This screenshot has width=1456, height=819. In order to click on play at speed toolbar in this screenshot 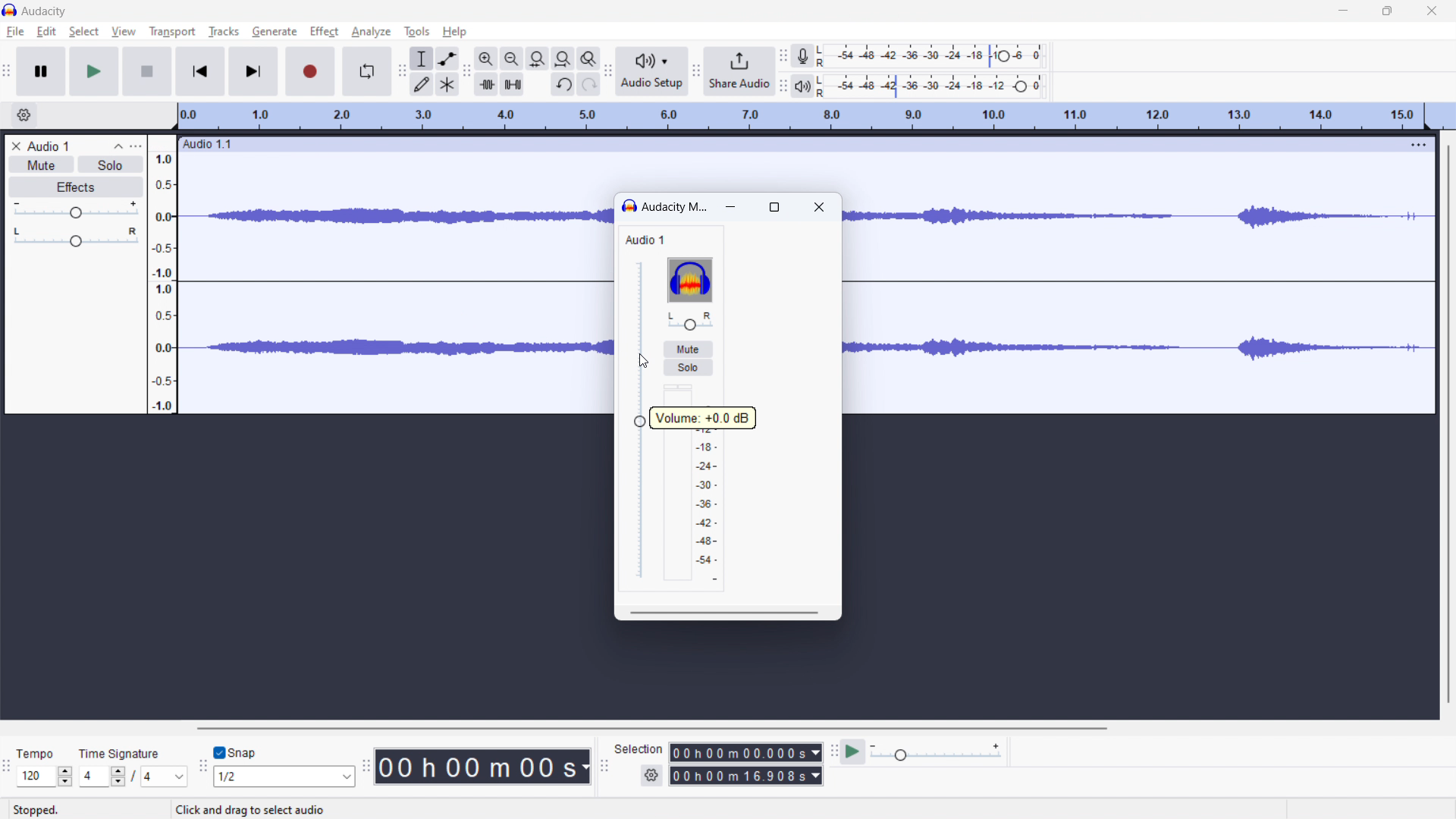, I will do `click(832, 751)`.